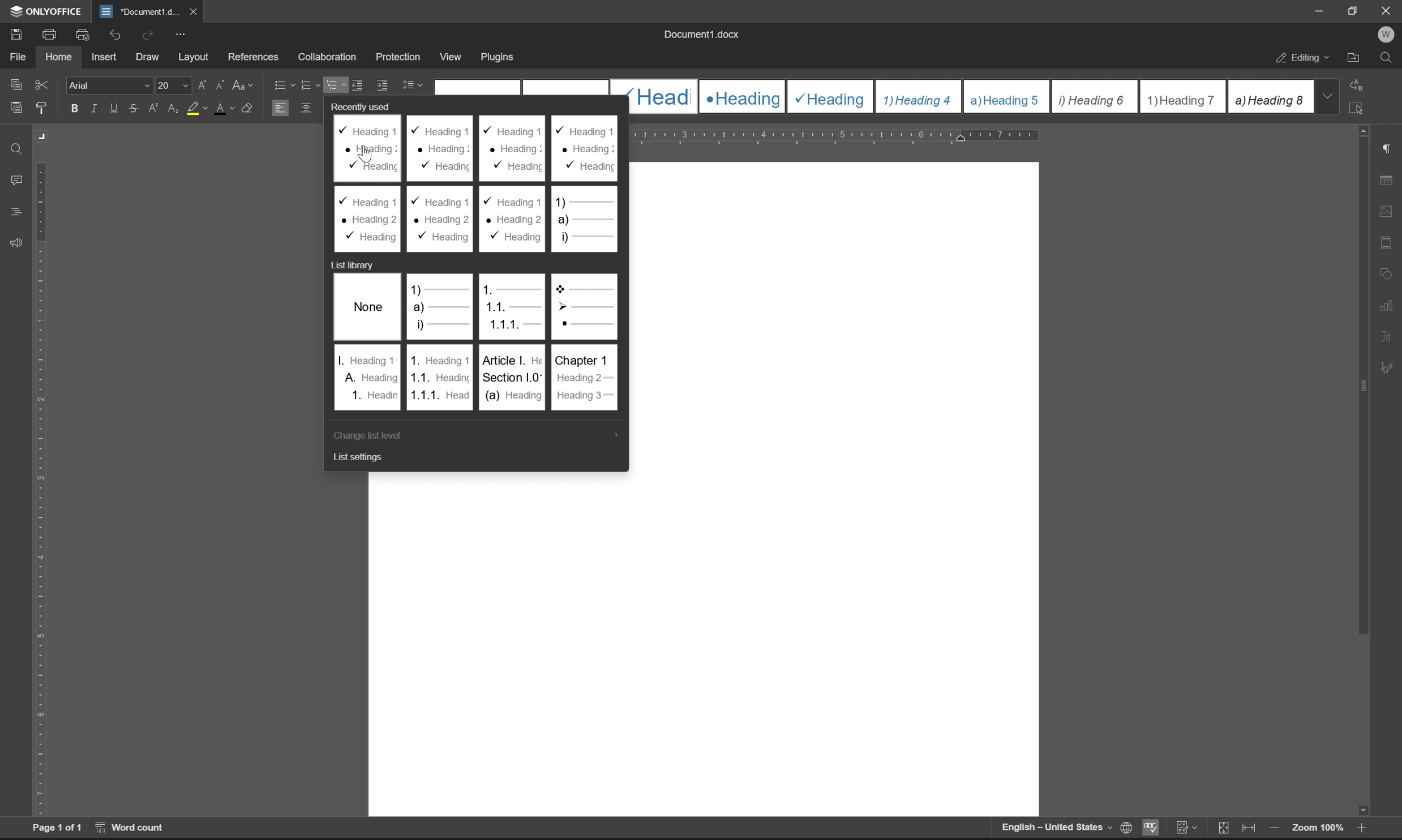  I want to click on spell checking, so click(1150, 827).